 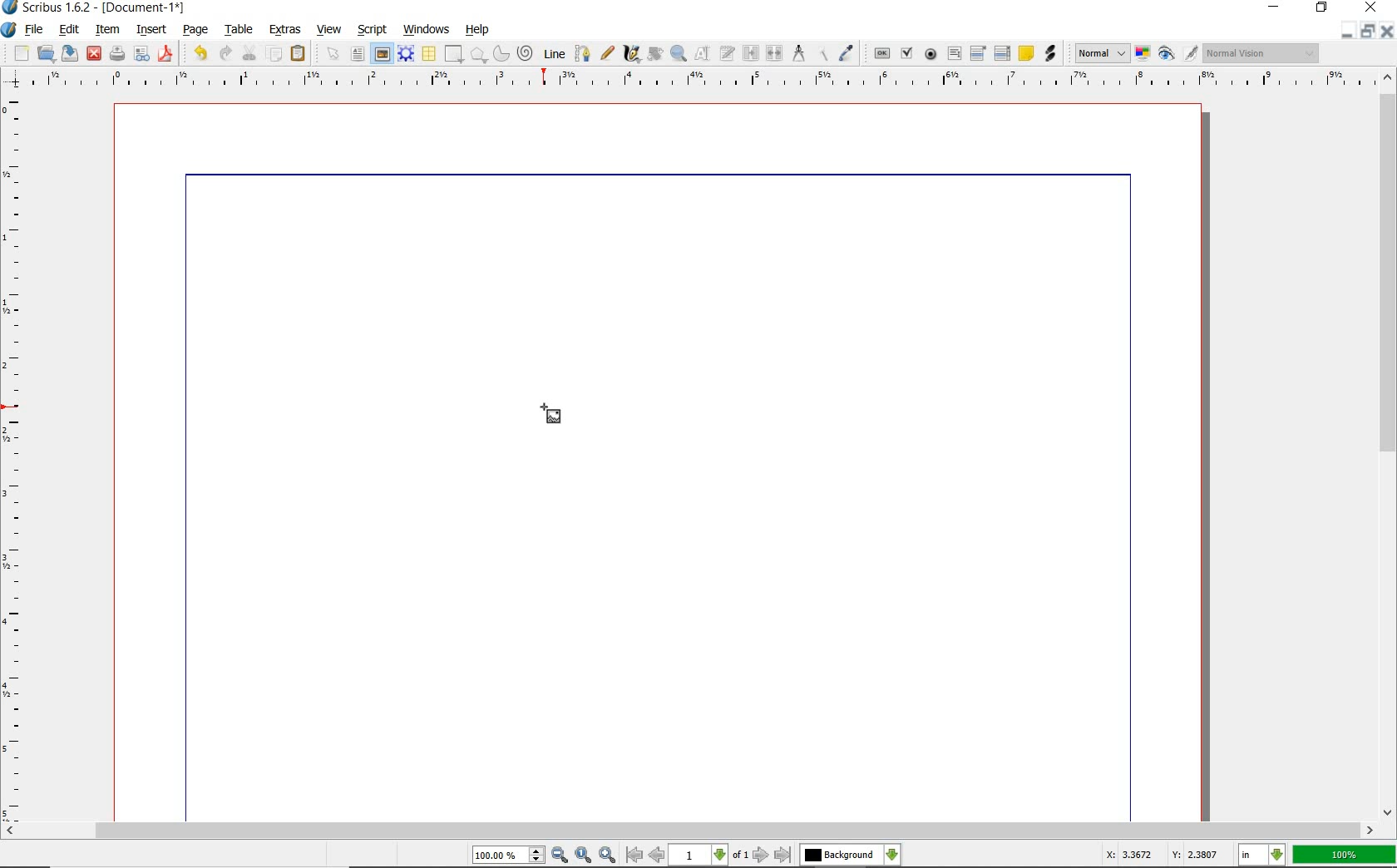 I want to click on Zoom to 100%, so click(x=584, y=855).